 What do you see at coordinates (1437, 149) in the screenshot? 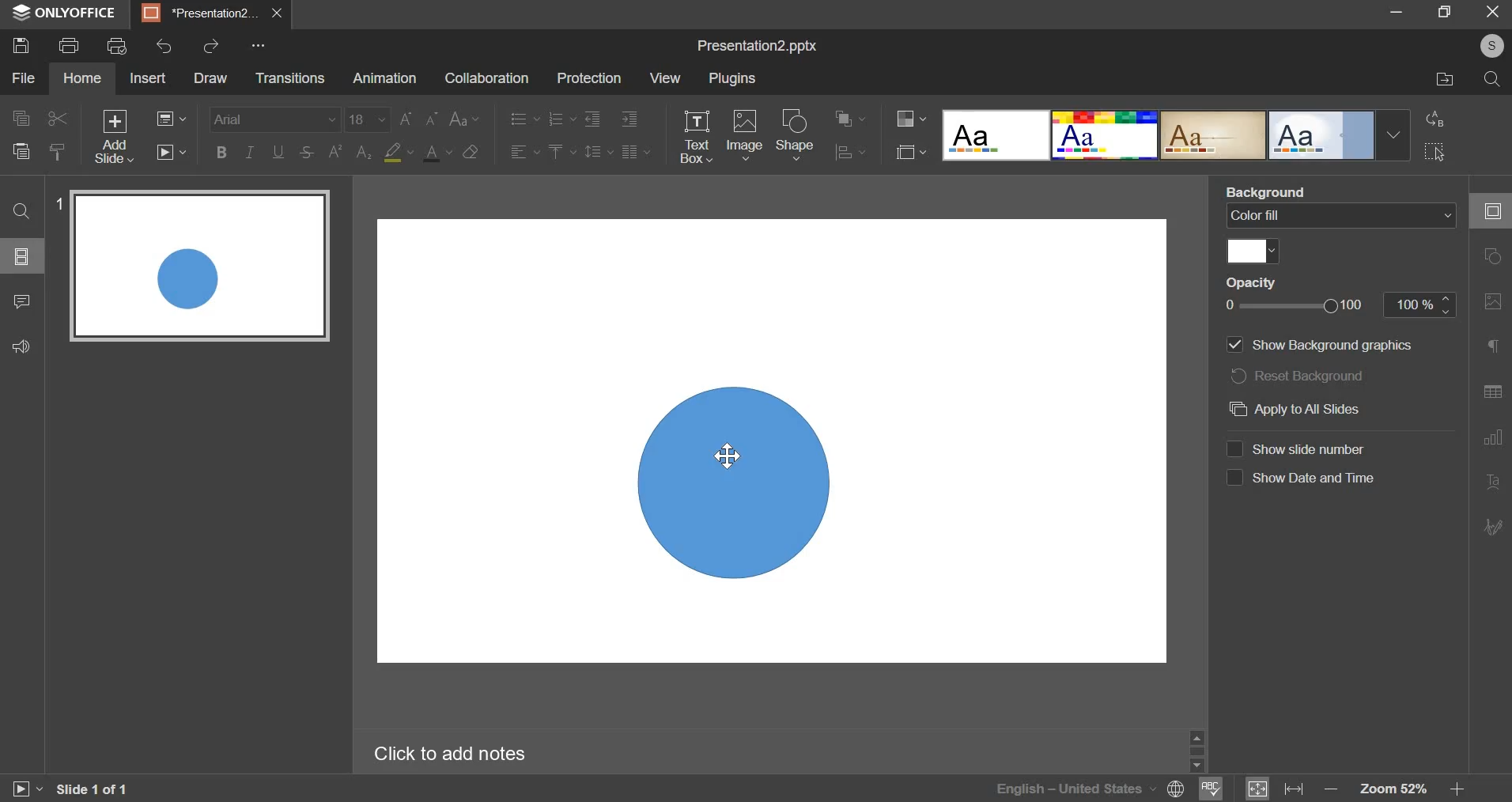
I see `select` at bounding box center [1437, 149].